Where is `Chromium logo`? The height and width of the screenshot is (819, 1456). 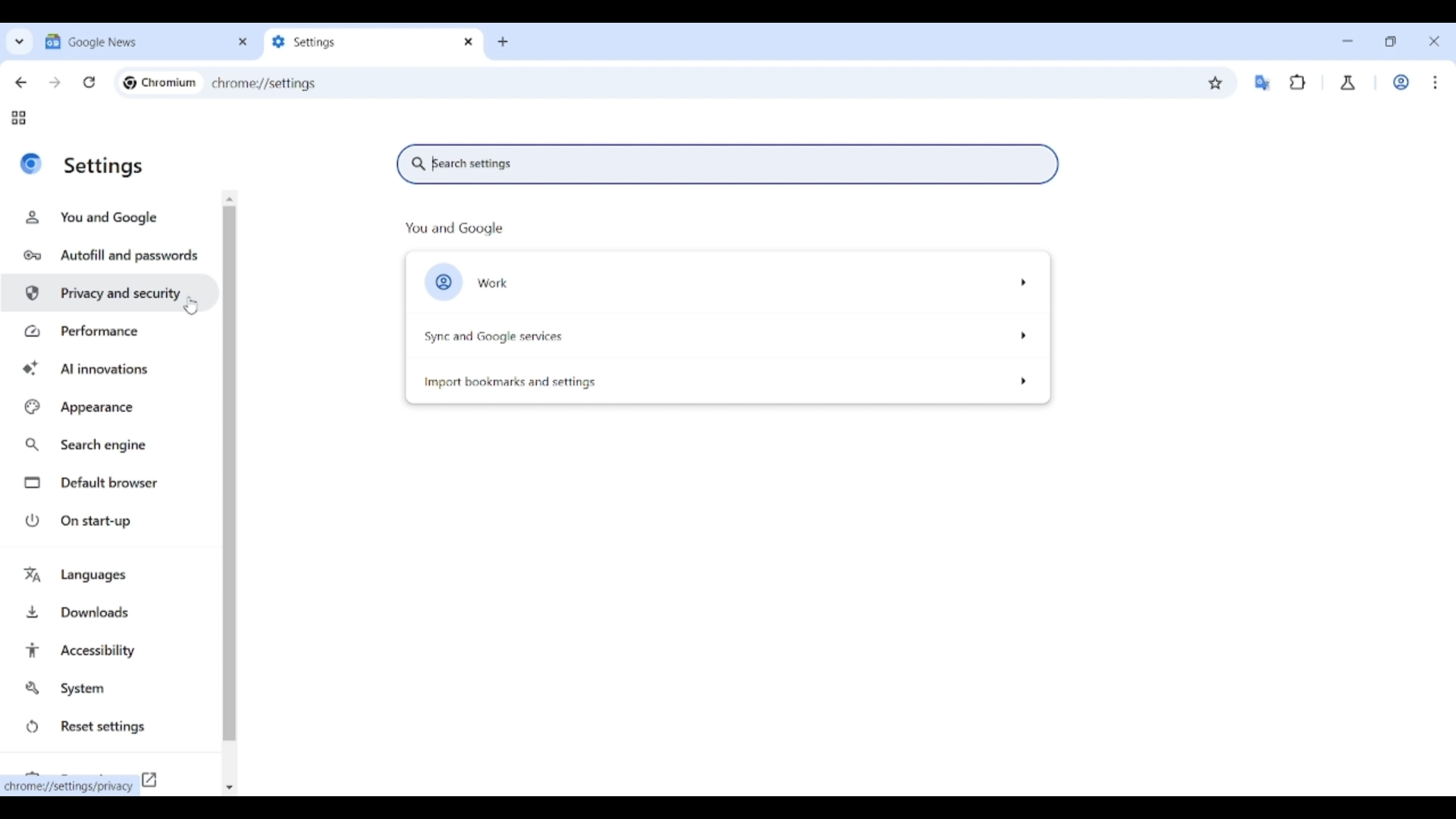 Chromium logo is located at coordinates (130, 83).